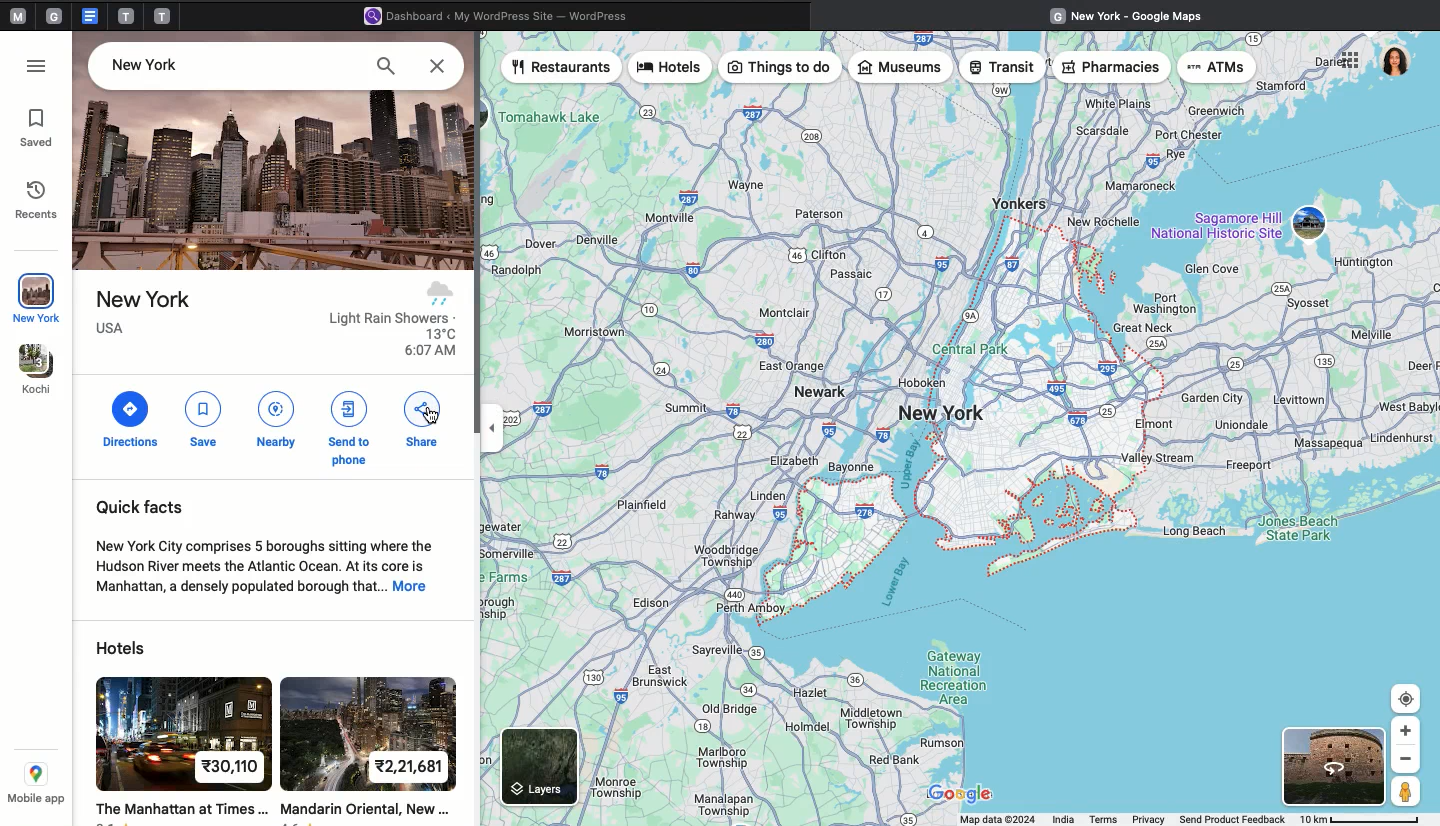  What do you see at coordinates (272, 548) in the screenshot?
I see `Quick facts` at bounding box center [272, 548].